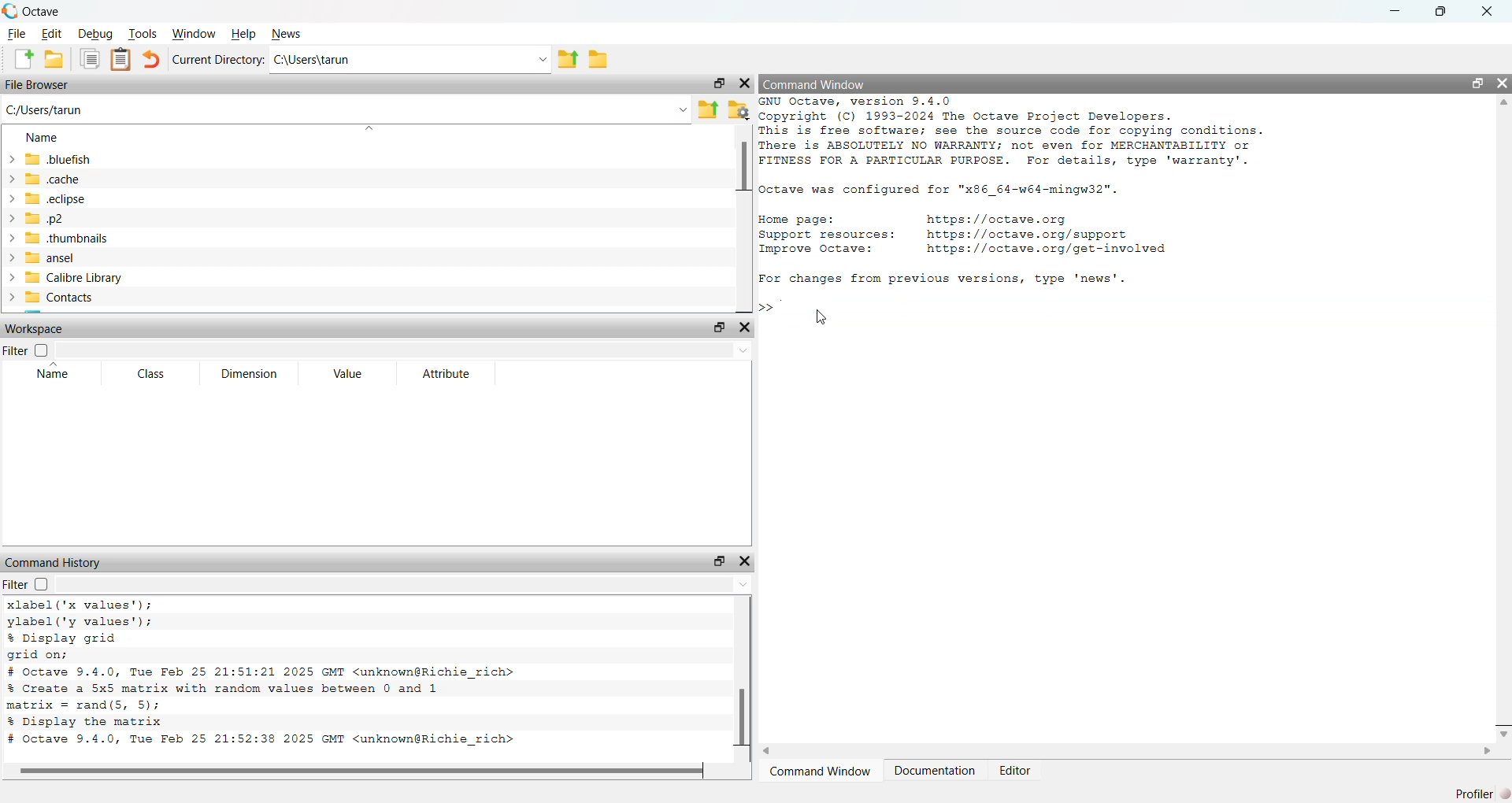 This screenshot has height=803, width=1512. What do you see at coordinates (220, 58) in the screenshot?
I see `Current Directory:` at bounding box center [220, 58].